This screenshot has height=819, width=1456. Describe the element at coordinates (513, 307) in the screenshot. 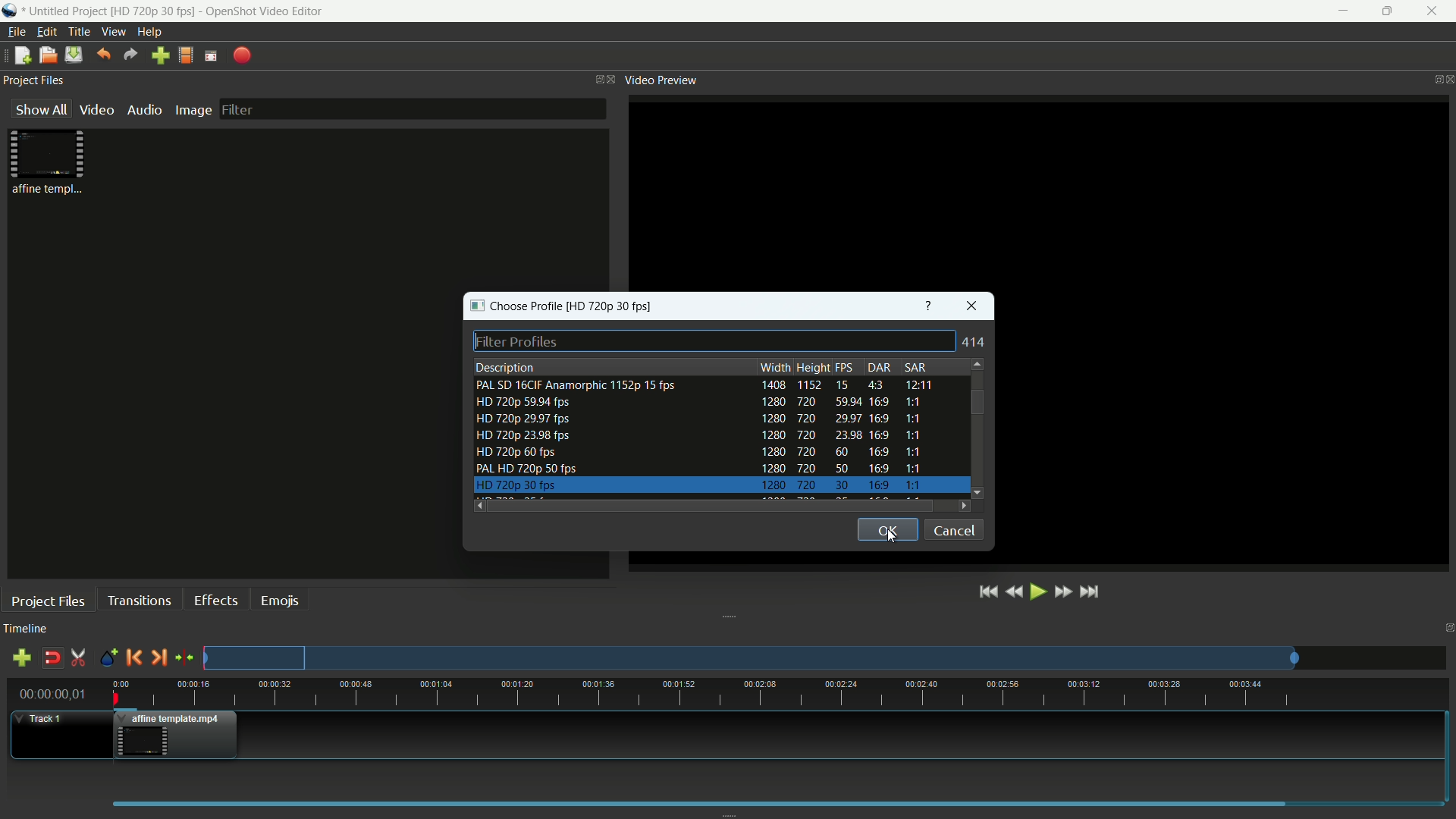

I see `choose profile` at that location.